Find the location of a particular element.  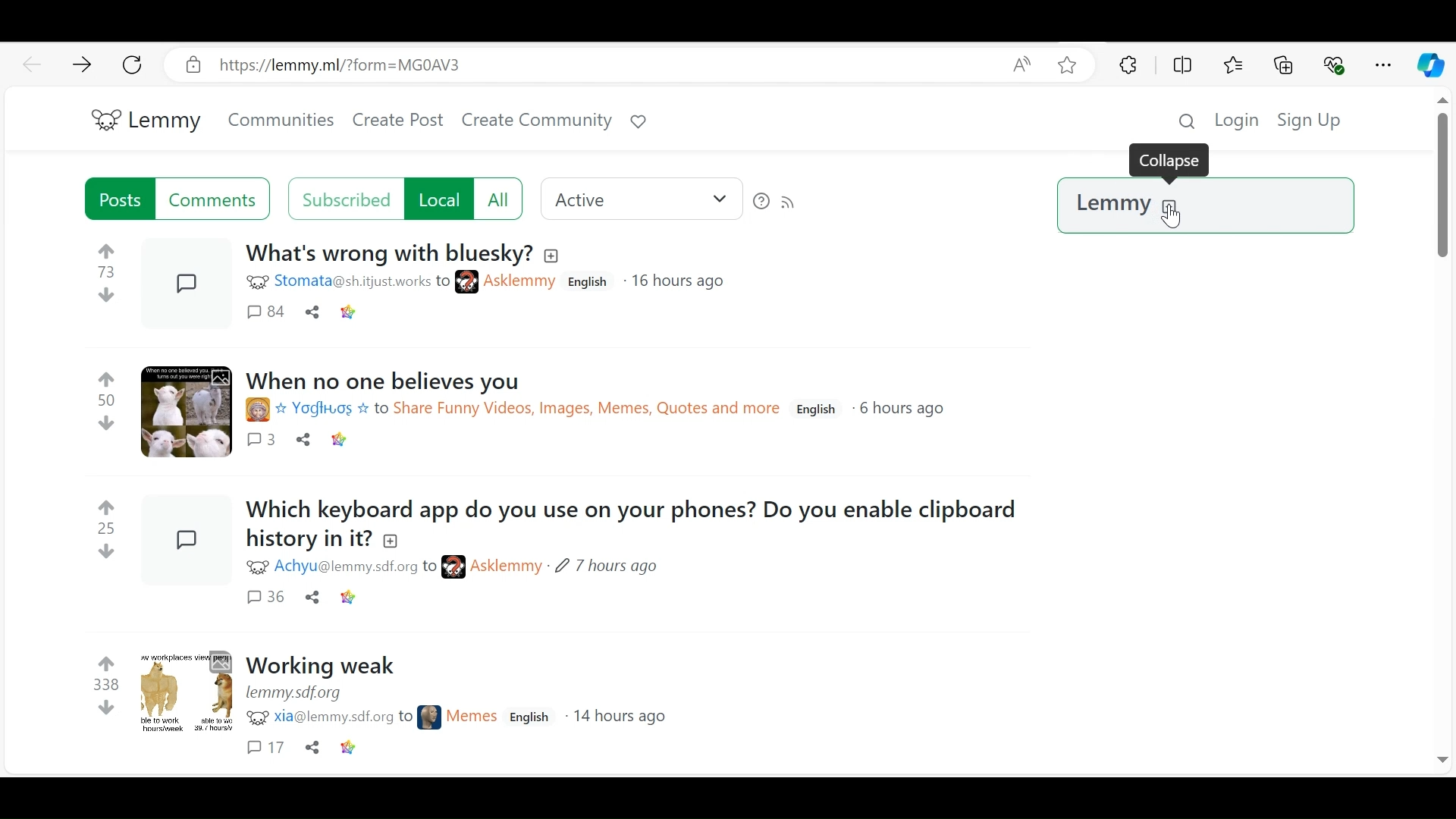

Comments is located at coordinates (262, 441).